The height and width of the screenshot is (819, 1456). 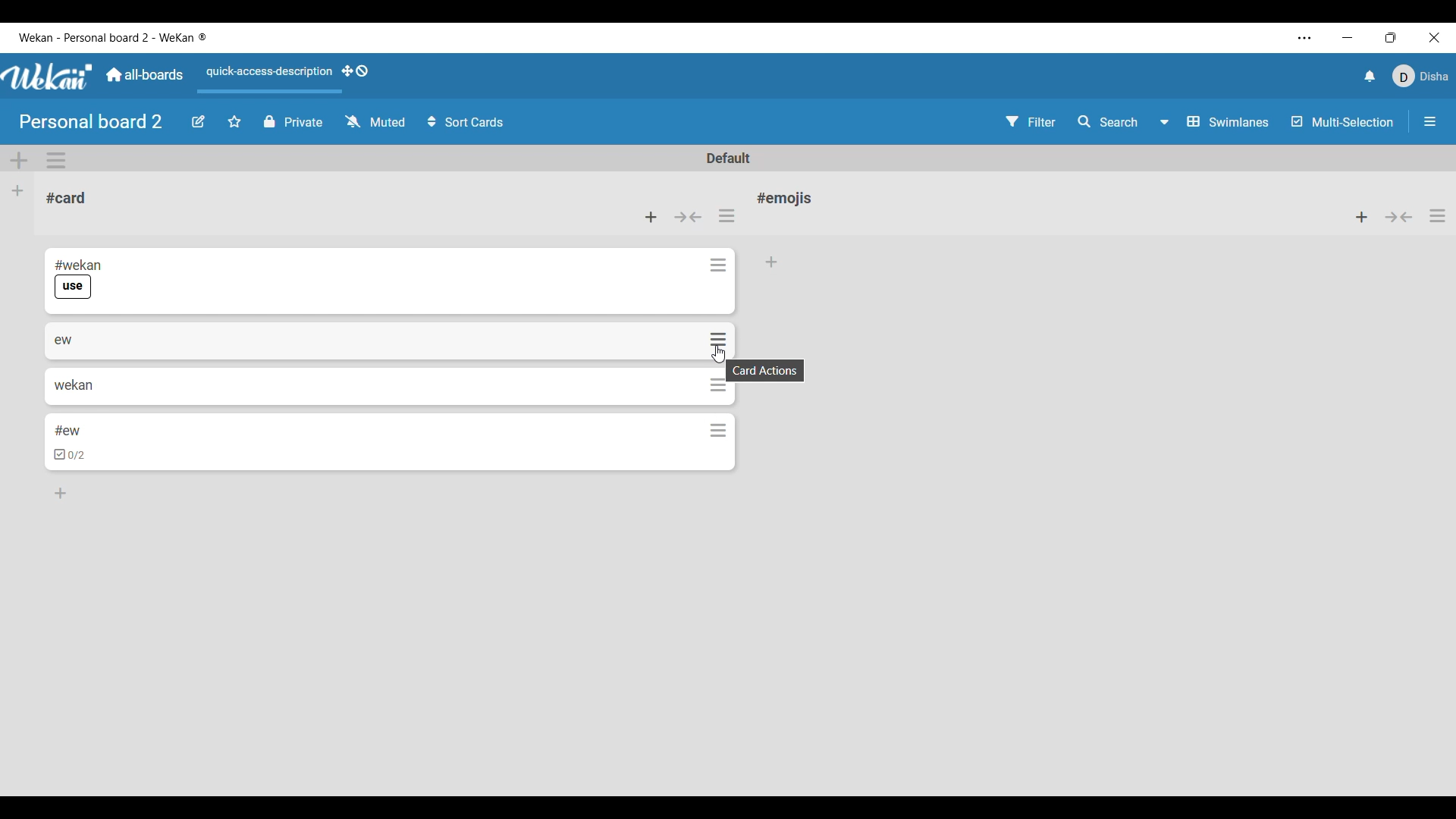 What do you see at coordinates (71, 455) in the screenshot?
I see `checkbox ` at bounding box center [71, 455].